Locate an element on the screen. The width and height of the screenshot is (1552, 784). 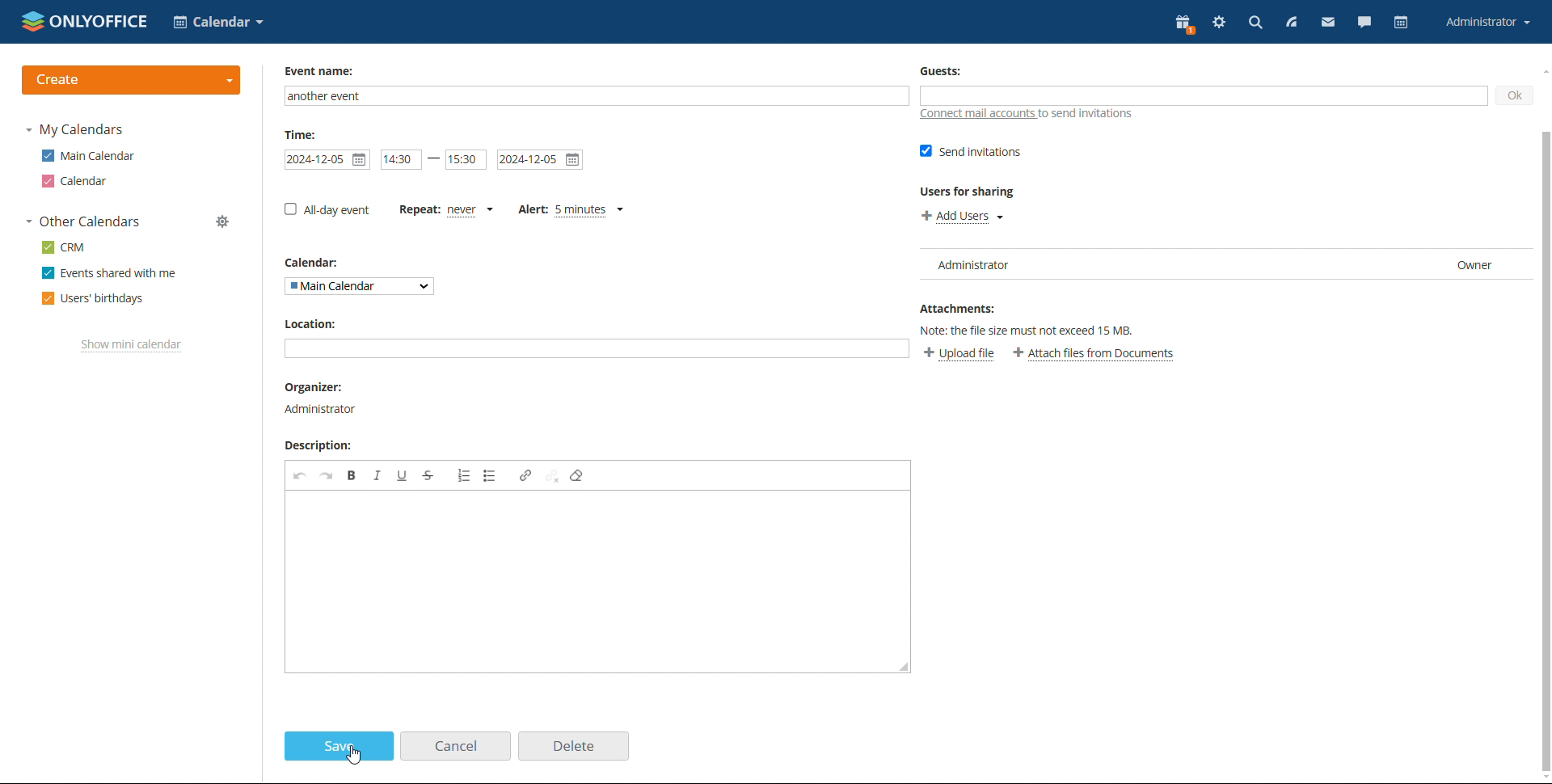
start date is located at coordinates (329, 161).